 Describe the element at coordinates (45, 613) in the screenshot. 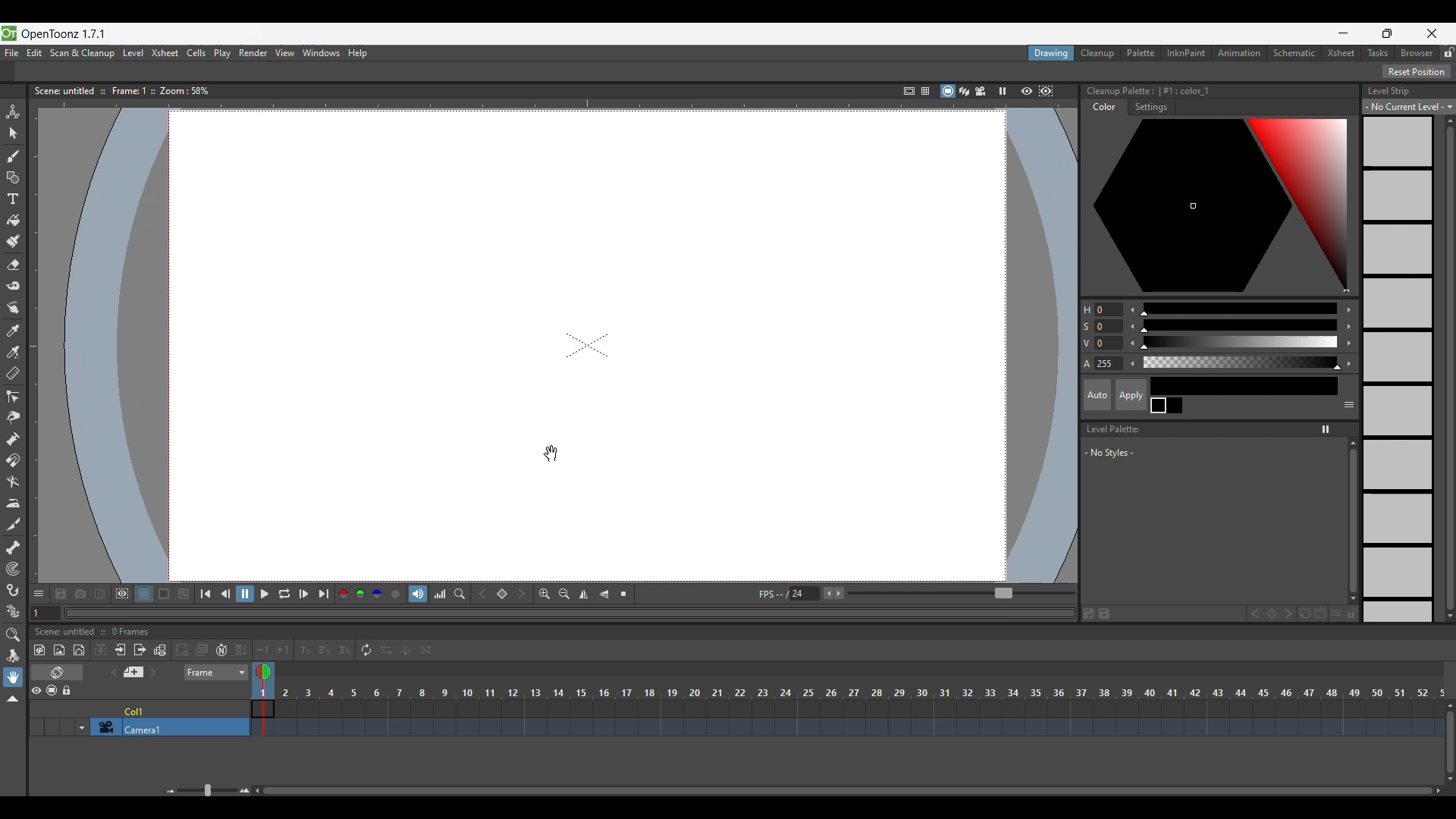

I see `Current frame` at that location.